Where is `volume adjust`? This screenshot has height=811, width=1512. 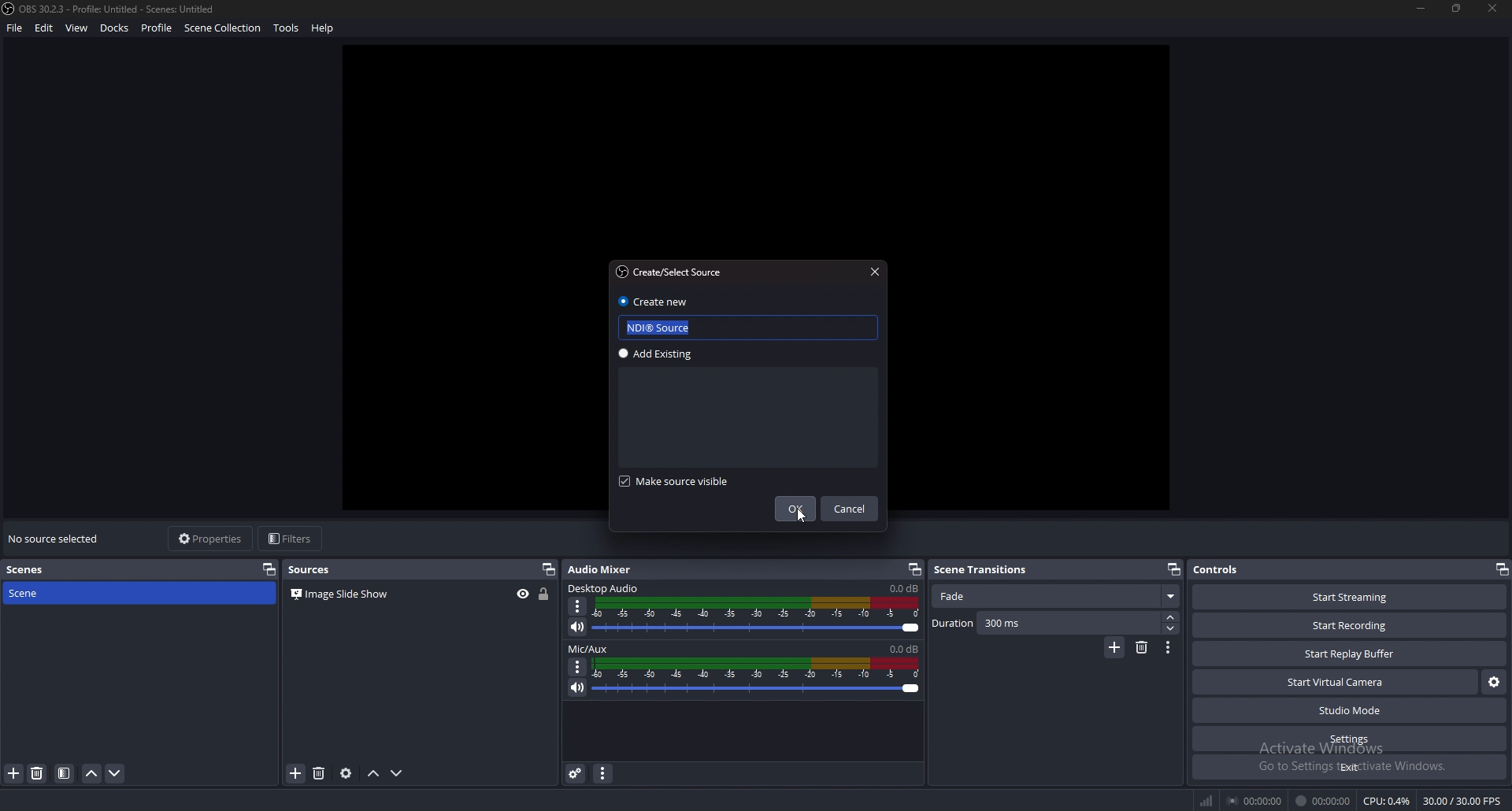 volume adjust is located at coordinates (757, 615).